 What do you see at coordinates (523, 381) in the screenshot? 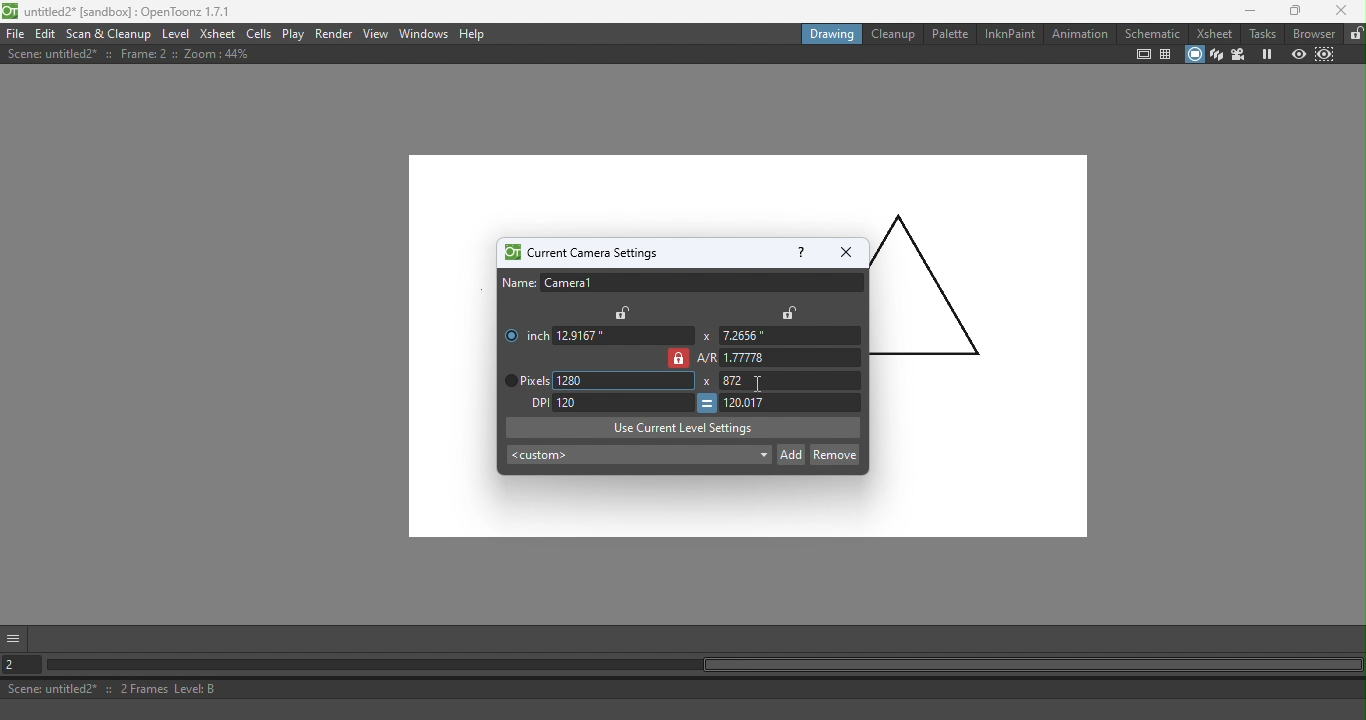
I see `Pixels` at bounding box center [523, 381].